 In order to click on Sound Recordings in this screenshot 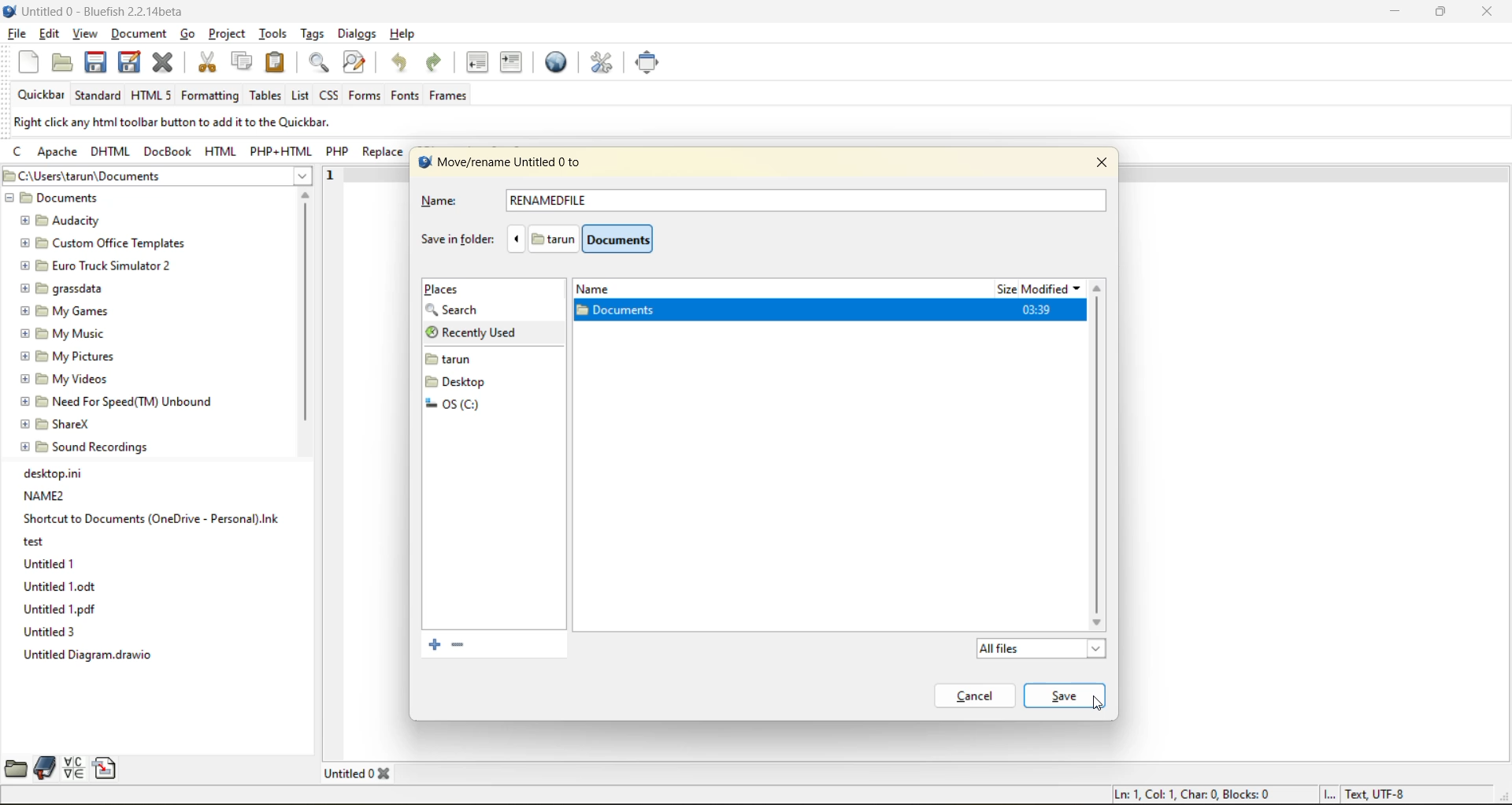, I will do `click(83, 446)`.